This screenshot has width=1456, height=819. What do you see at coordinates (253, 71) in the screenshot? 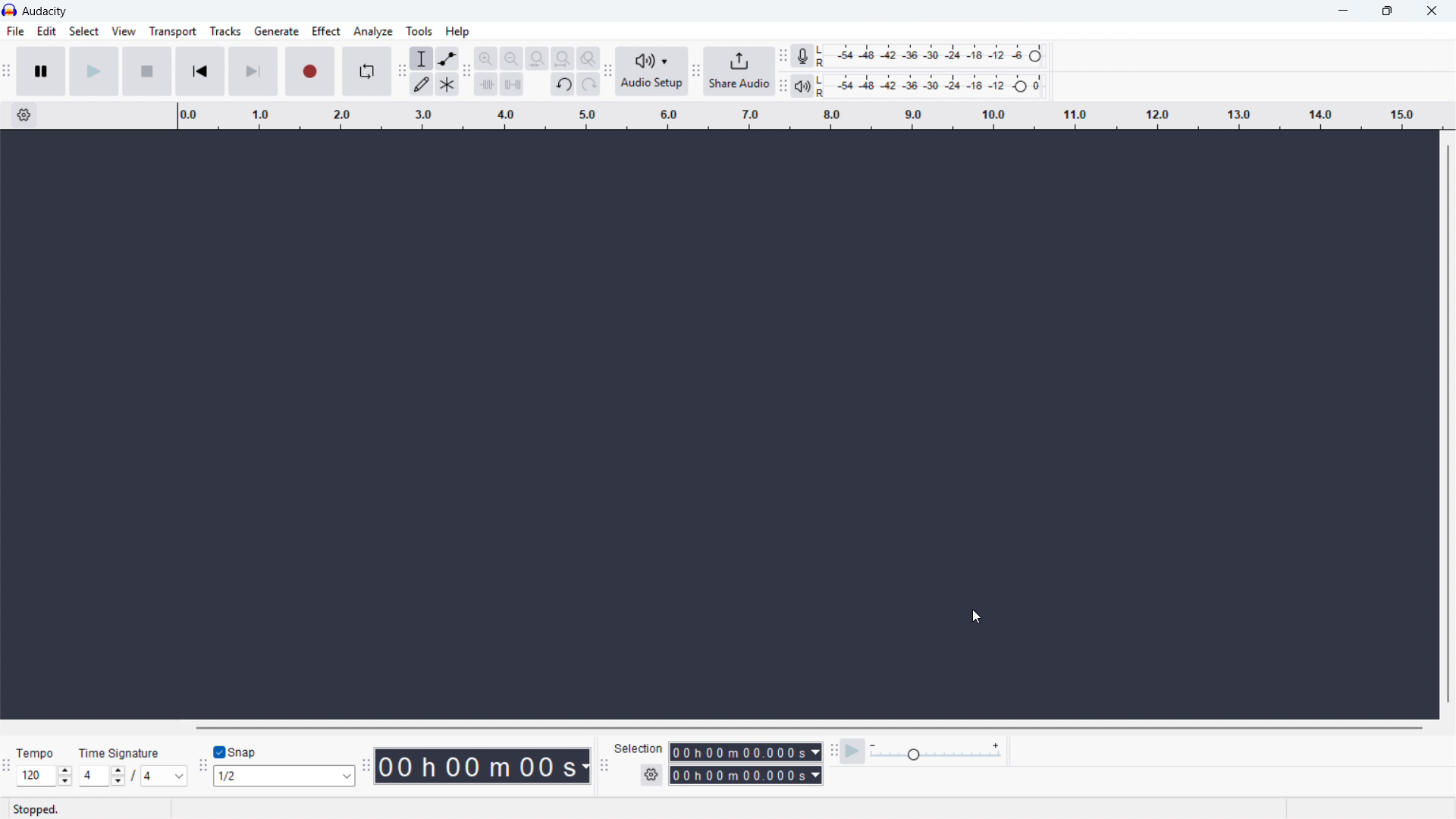
I see `skip to end` at bounding box center [253, 71].